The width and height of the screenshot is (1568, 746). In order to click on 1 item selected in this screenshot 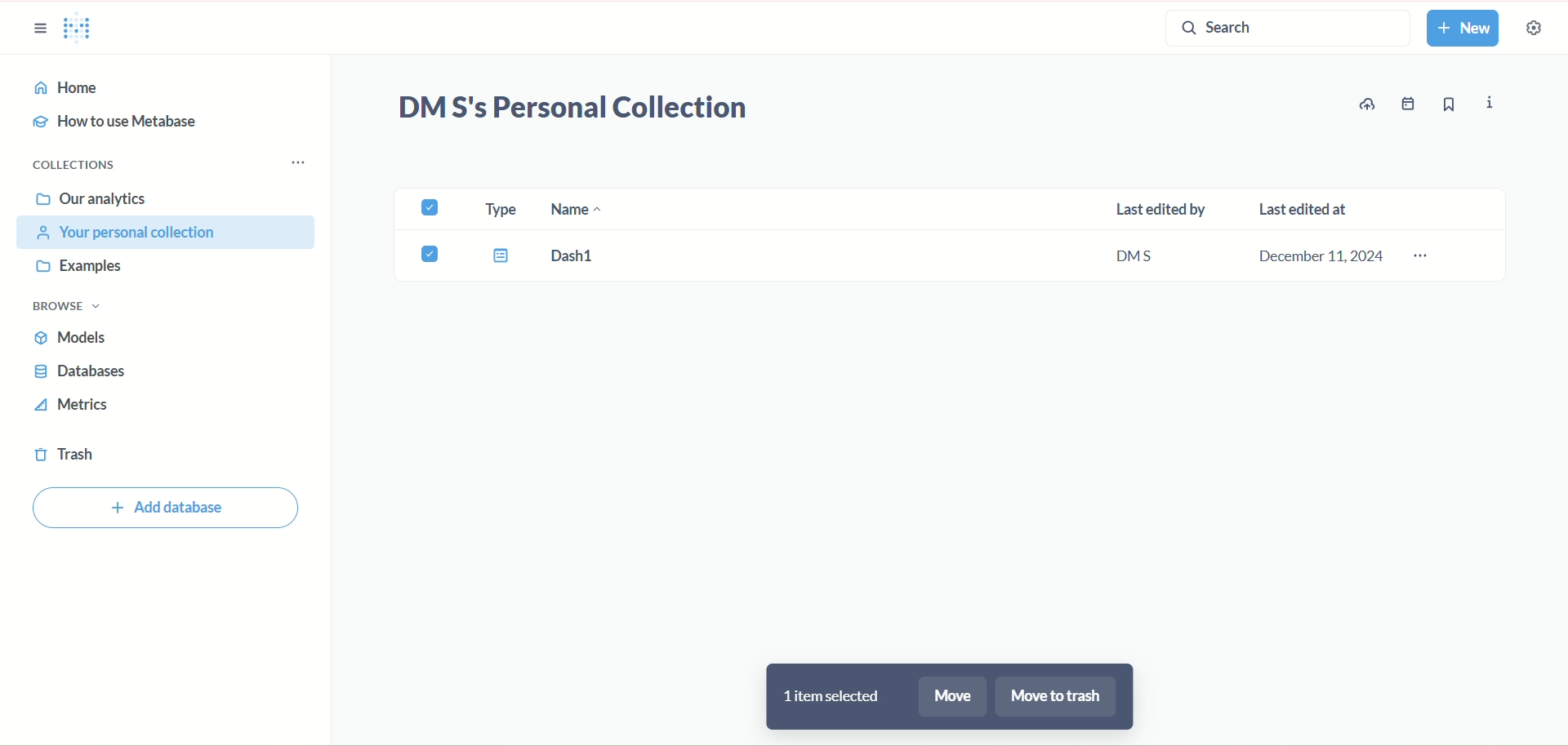, I will do `click(832, 695)`.